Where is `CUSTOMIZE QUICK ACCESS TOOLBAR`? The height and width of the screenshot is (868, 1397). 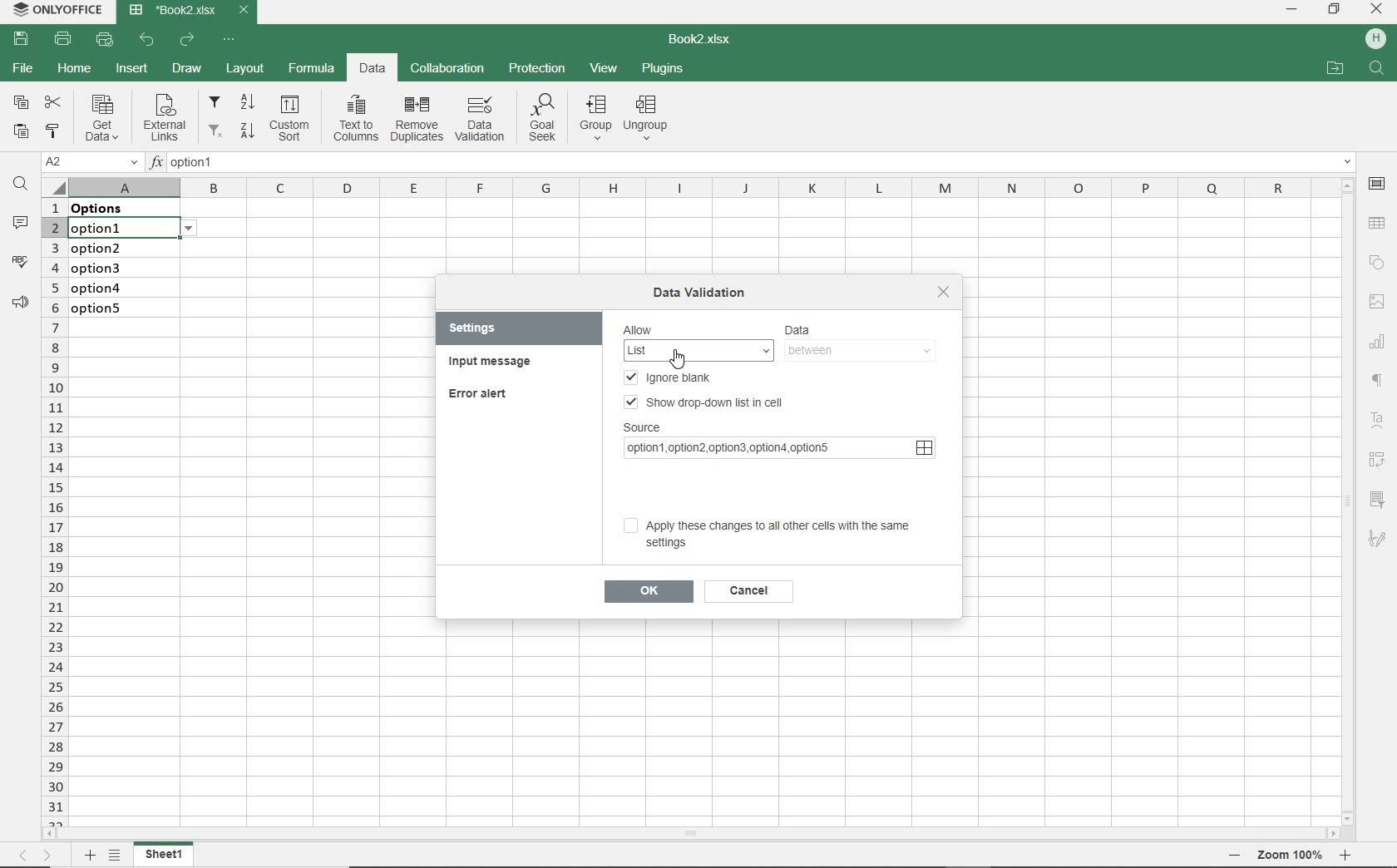 CUSTOMIZE QUICK ACCESS TOOLBAR is located at coordinates (230, 40).